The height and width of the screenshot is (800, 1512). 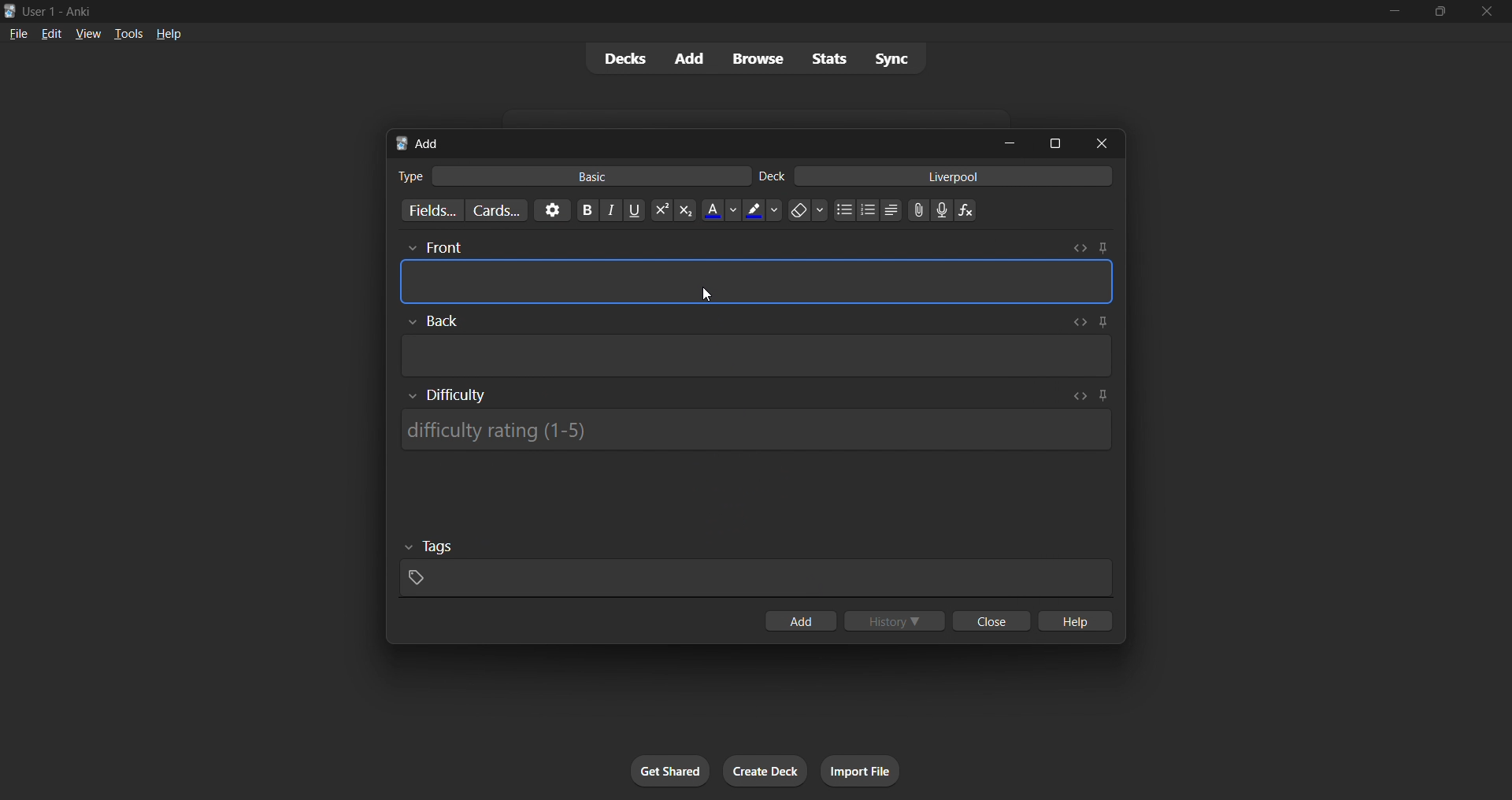 What do you see at coordinates (1394, 12) in the screenshot?
I see `minimize` at bounding box center [1394, 12].